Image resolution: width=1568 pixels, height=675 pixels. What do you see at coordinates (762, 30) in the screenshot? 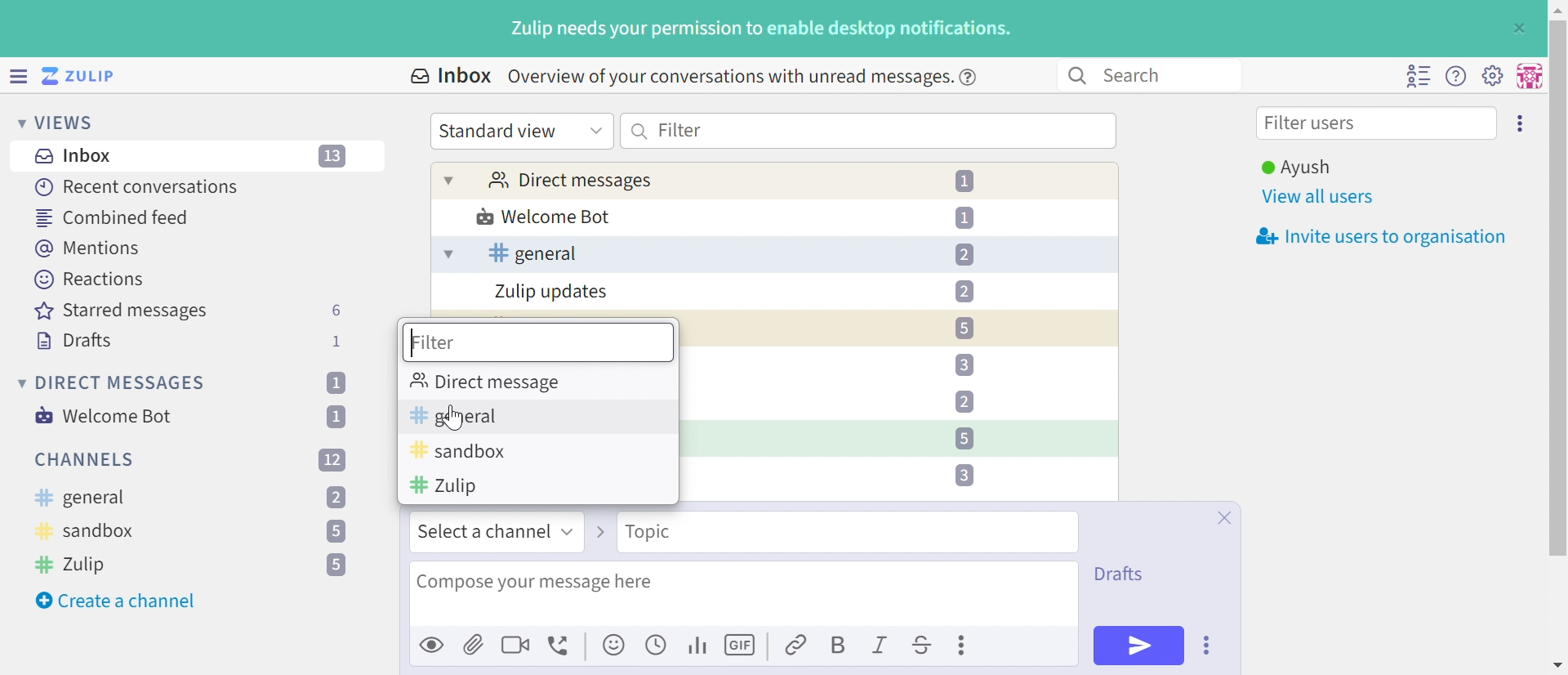
I see `Zulip needs your permission to enable desktop notifications.` at bounding box center [762, 30].